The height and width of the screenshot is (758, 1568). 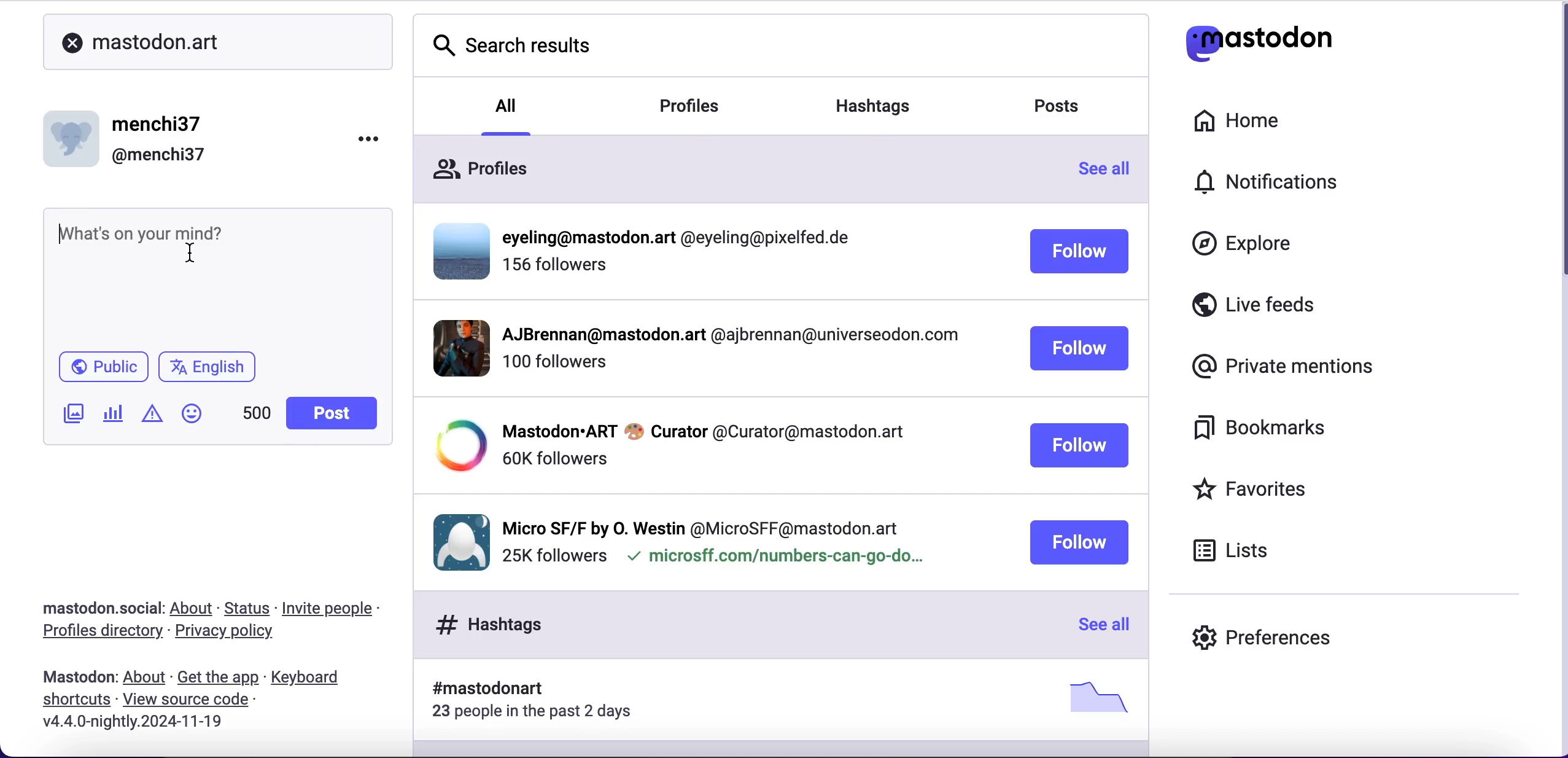 What do you see at coordinates (246, 607) in the screenshot?
I see `status` at bounding box center [246, 607].